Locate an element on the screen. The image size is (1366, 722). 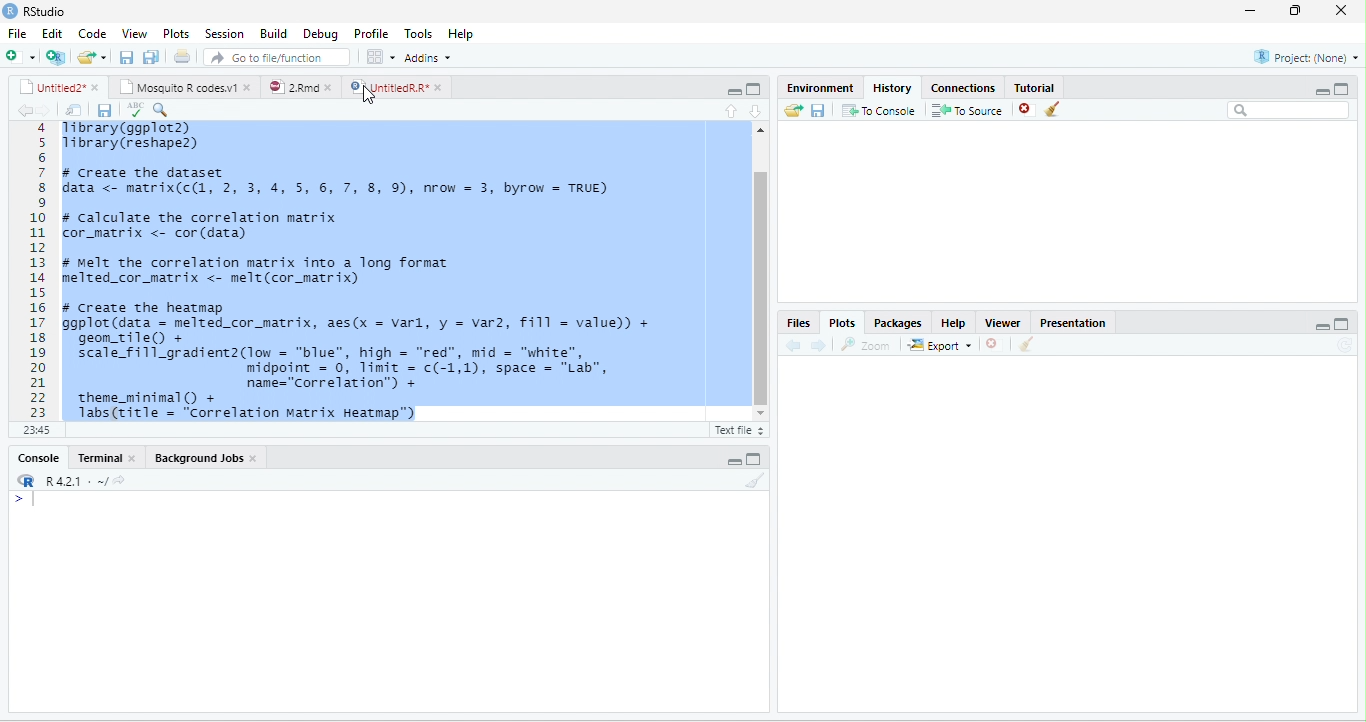
untitledR is located at coordinates (395, 87).